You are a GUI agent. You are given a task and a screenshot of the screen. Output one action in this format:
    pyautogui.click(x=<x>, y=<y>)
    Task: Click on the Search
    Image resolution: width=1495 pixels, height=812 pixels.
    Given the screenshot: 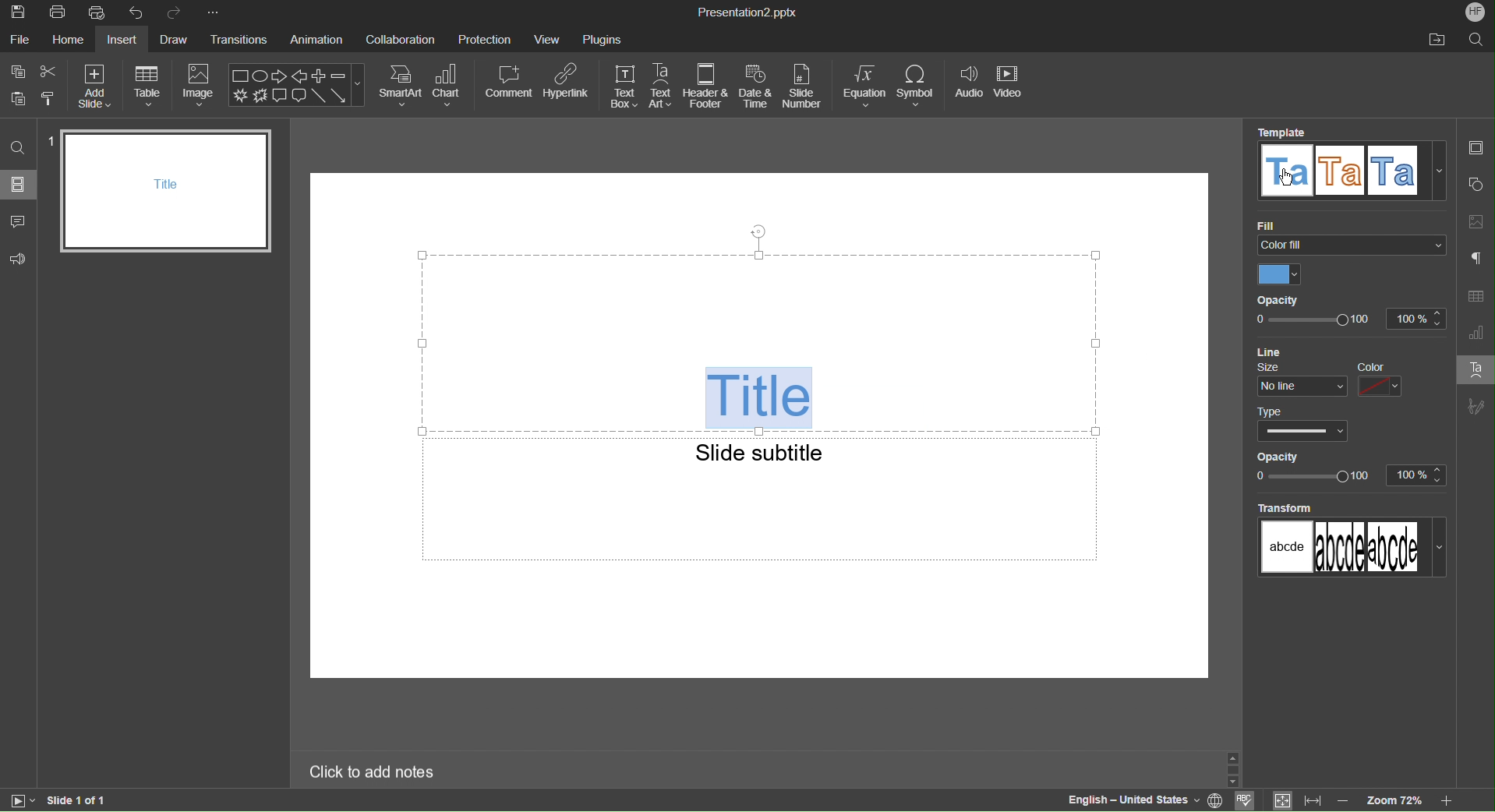 What is the action you would take?
    pyautogui.click(x=18, y=148)
    